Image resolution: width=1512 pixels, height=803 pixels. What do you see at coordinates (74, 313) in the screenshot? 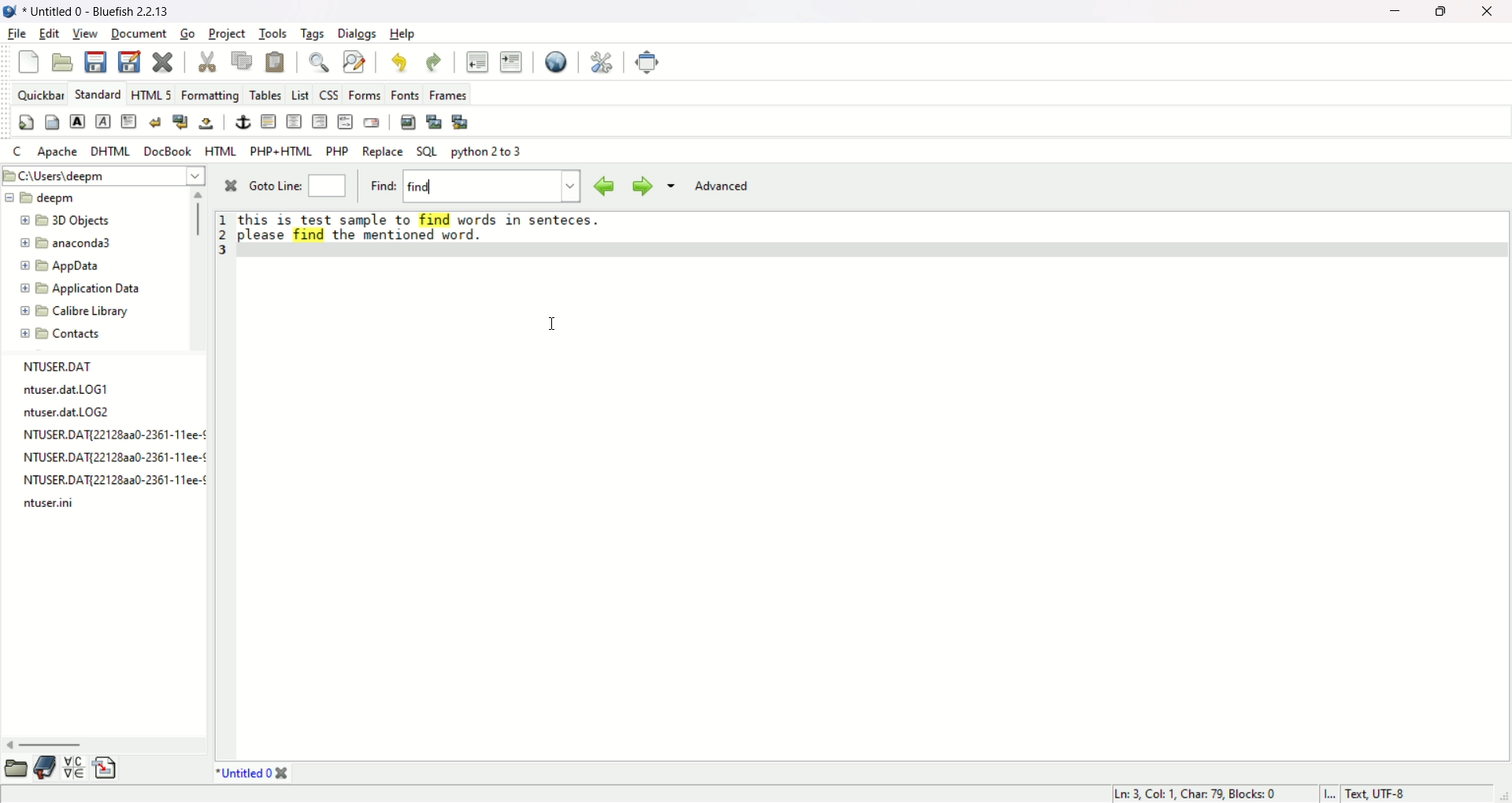
I see `calibre library` at bounding box center [74, 313].